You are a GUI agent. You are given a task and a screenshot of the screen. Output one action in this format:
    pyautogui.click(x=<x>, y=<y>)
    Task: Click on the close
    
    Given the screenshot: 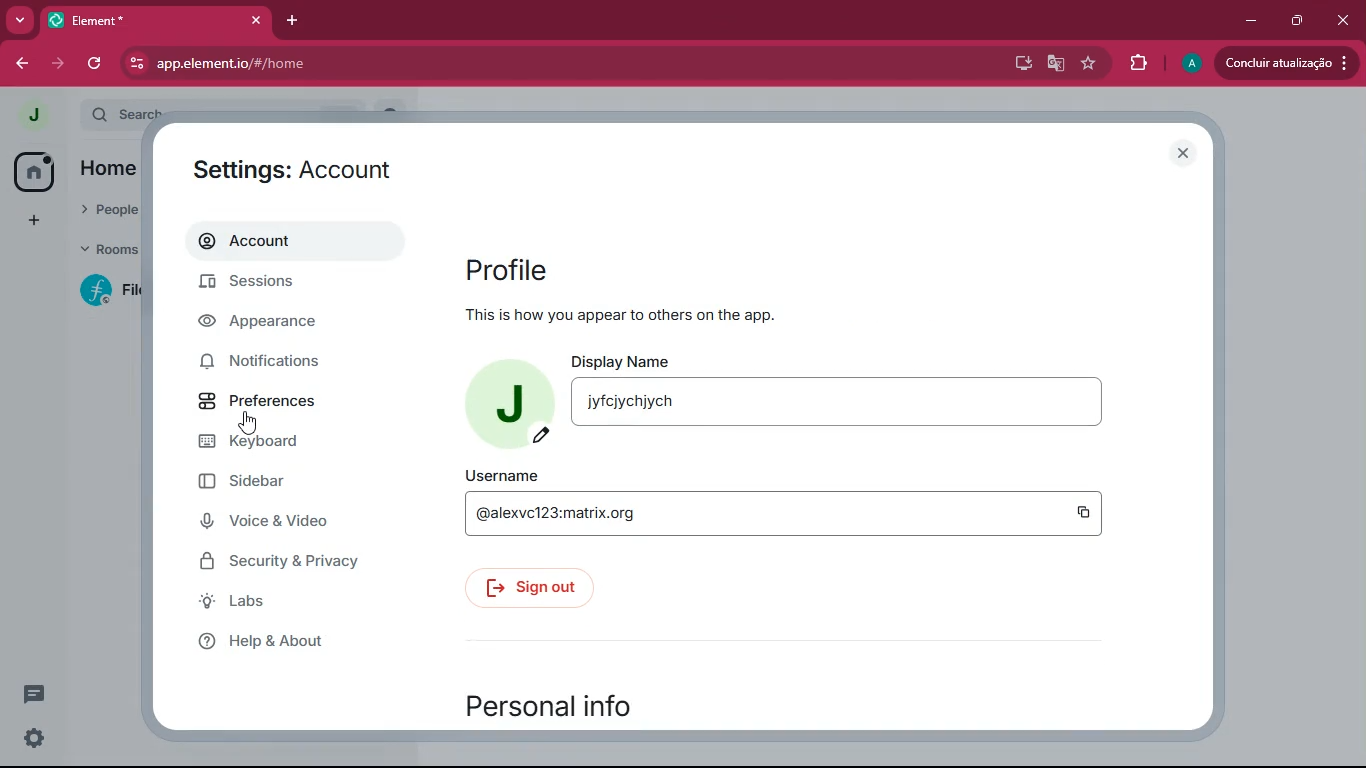 What is the action you would take?
    pyautogui.click(x=1345, y=20)
    